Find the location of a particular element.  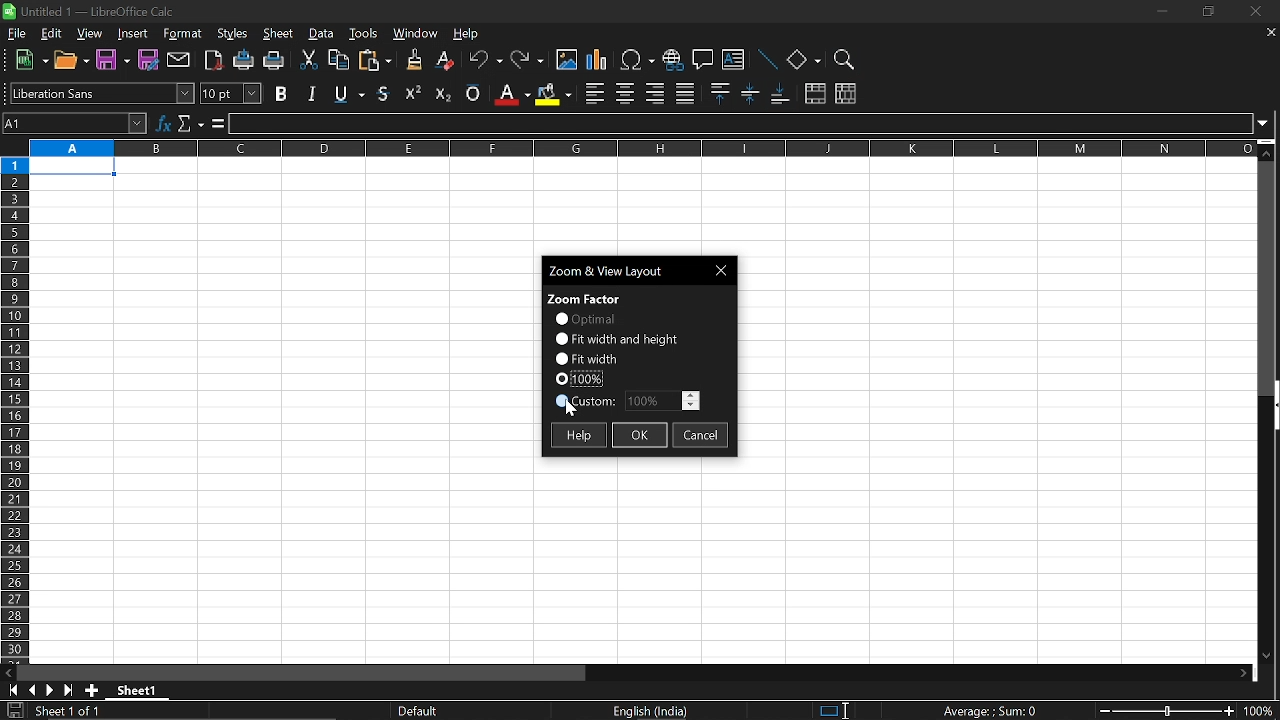

vertical scrollbar is located at coordinates (1272, 407).